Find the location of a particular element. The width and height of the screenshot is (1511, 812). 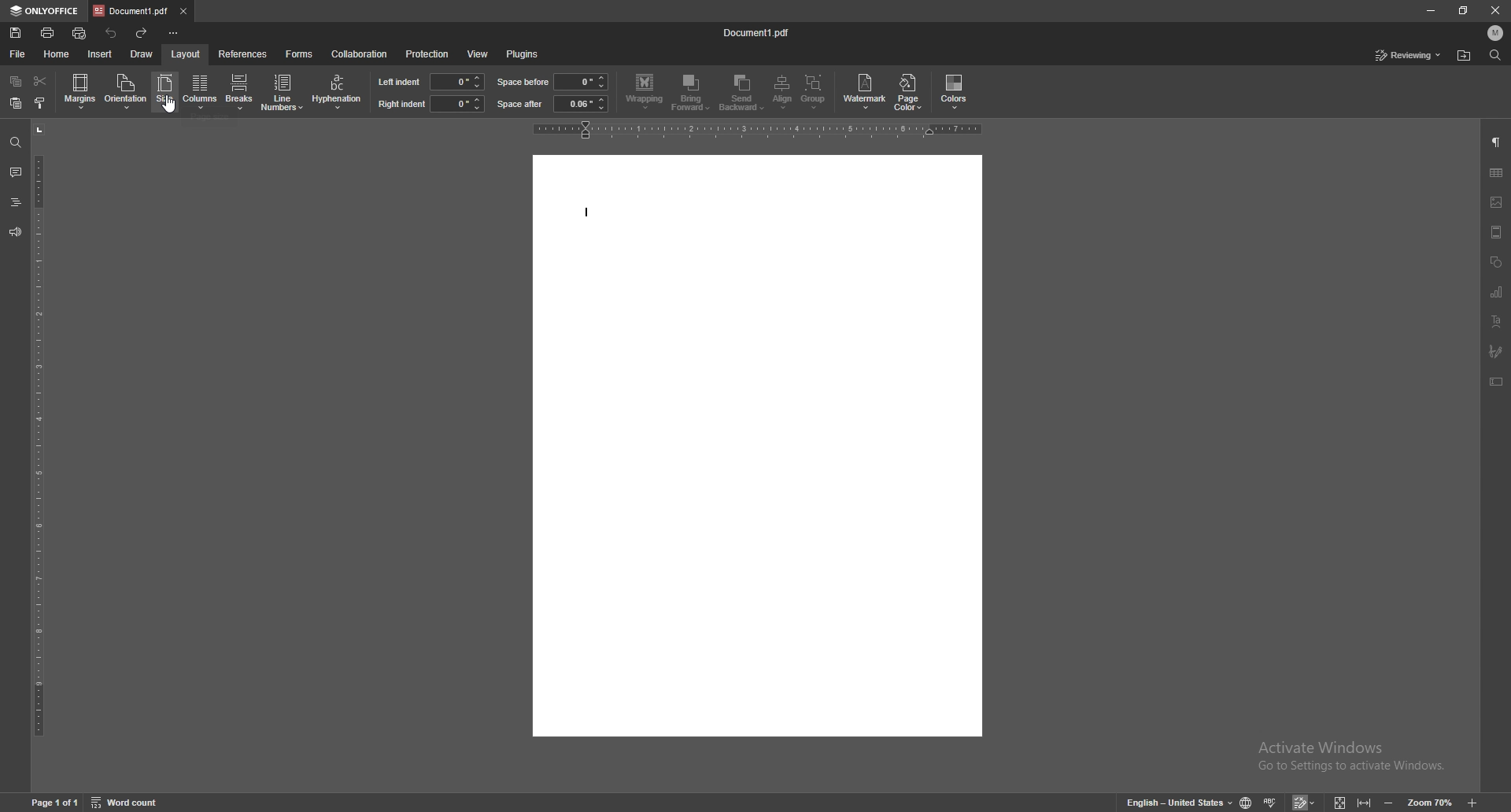

group is located at coordinates (815, 92).